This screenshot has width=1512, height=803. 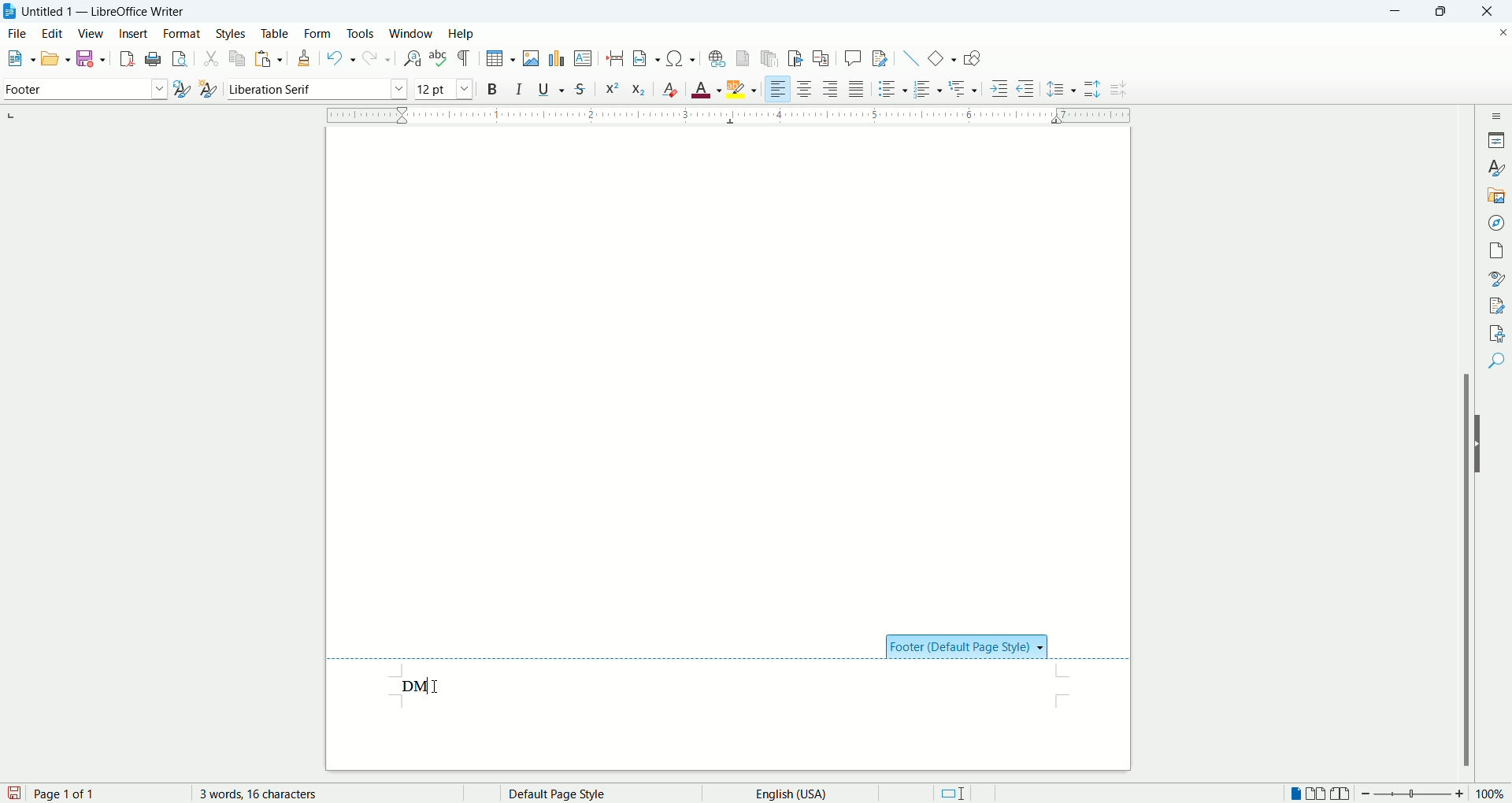 I want to click on font size, so click(x=443, y=88).